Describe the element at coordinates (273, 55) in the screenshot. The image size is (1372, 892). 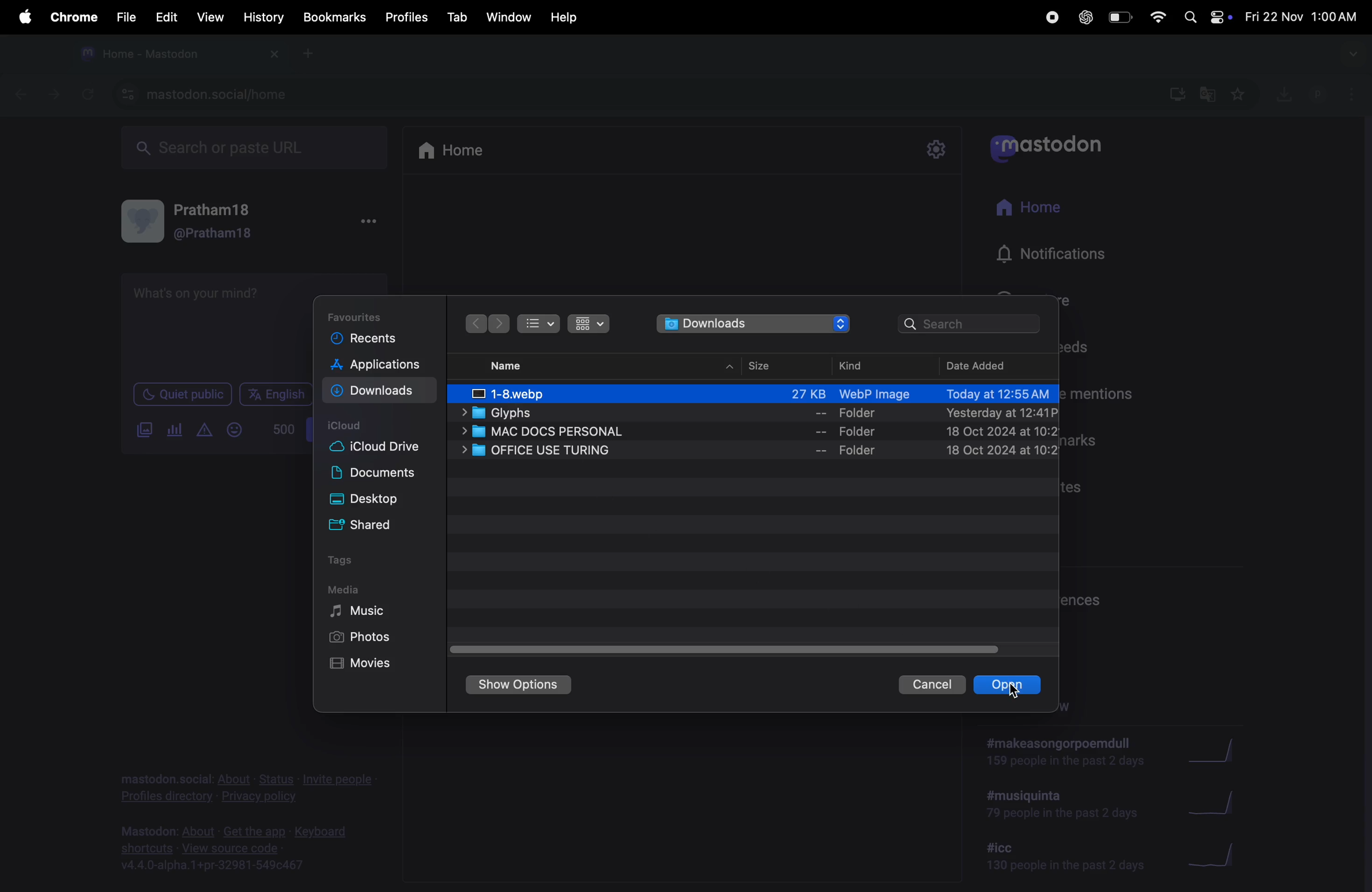
I see `close tab` at that location.